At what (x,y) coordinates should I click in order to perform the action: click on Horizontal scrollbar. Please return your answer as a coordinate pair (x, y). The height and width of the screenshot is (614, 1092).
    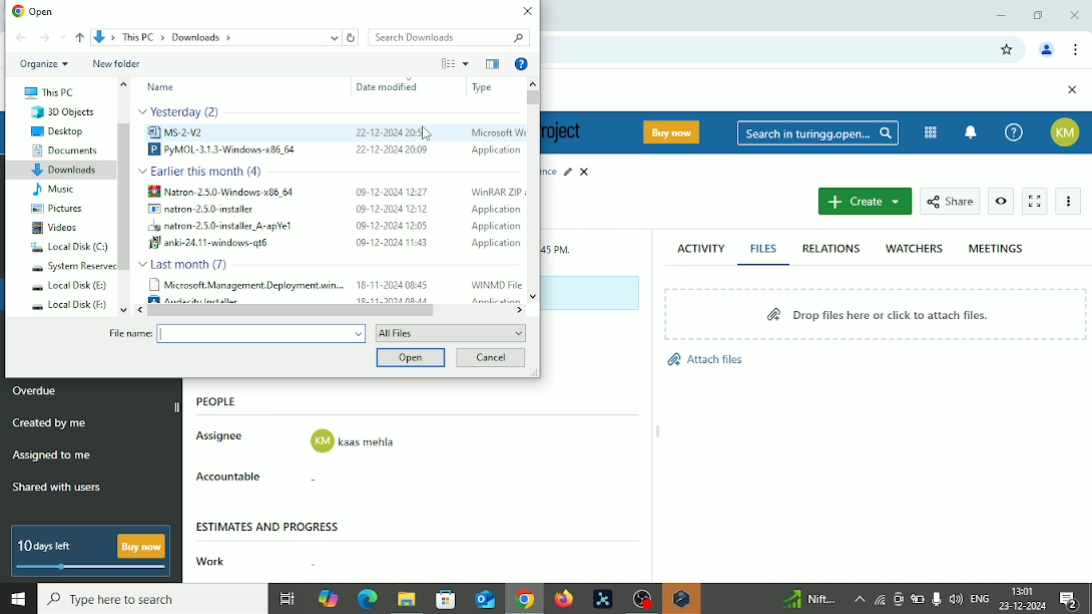
    Looking at the image, I should click on (292, 310).